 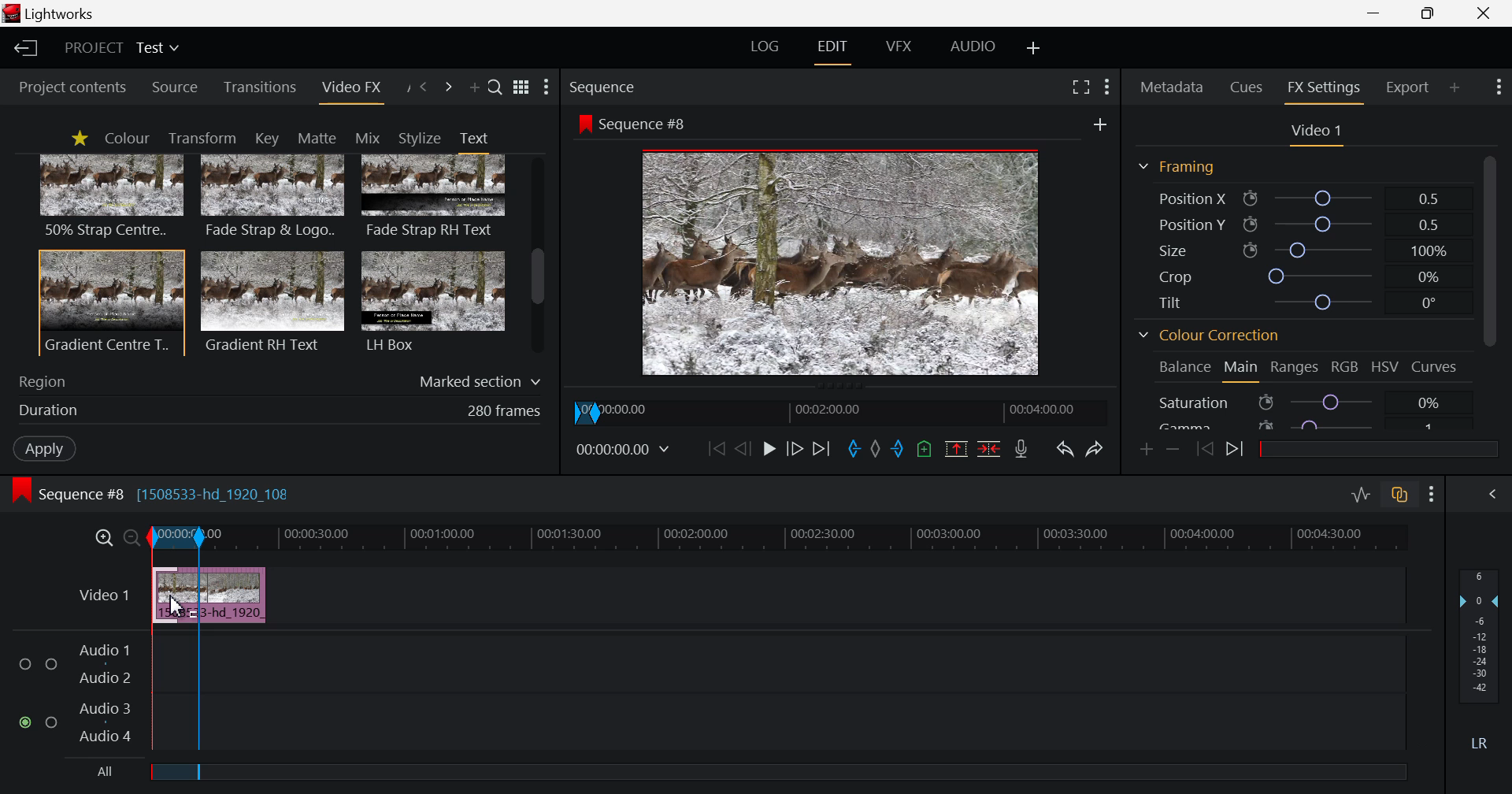 What do you see at coordinates (773, 773) in the screenshot?
I see `All field` at bounding box center [773, 773].